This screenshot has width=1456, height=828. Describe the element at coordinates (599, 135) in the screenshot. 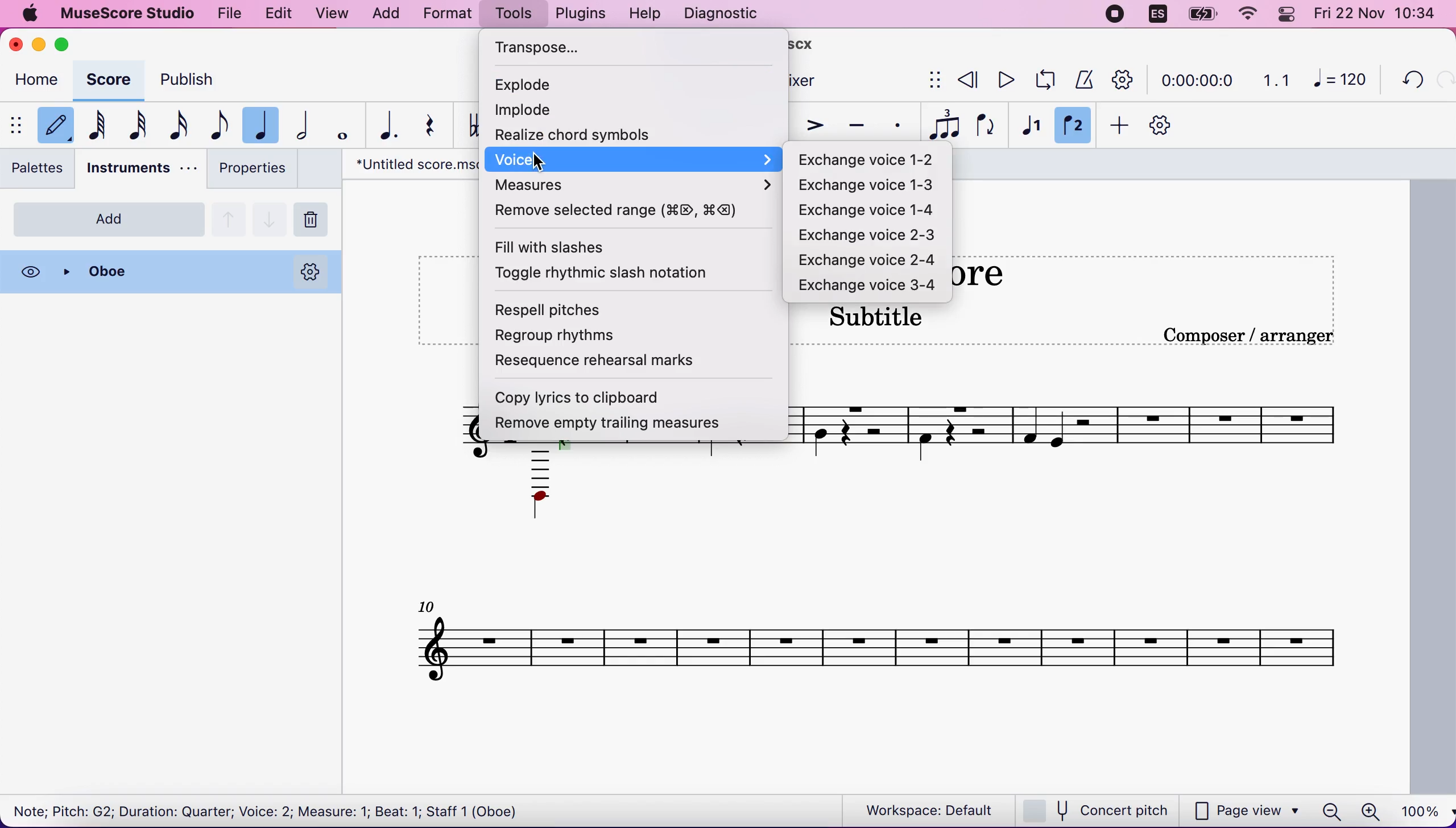

I see `realize chord systems` at that location.